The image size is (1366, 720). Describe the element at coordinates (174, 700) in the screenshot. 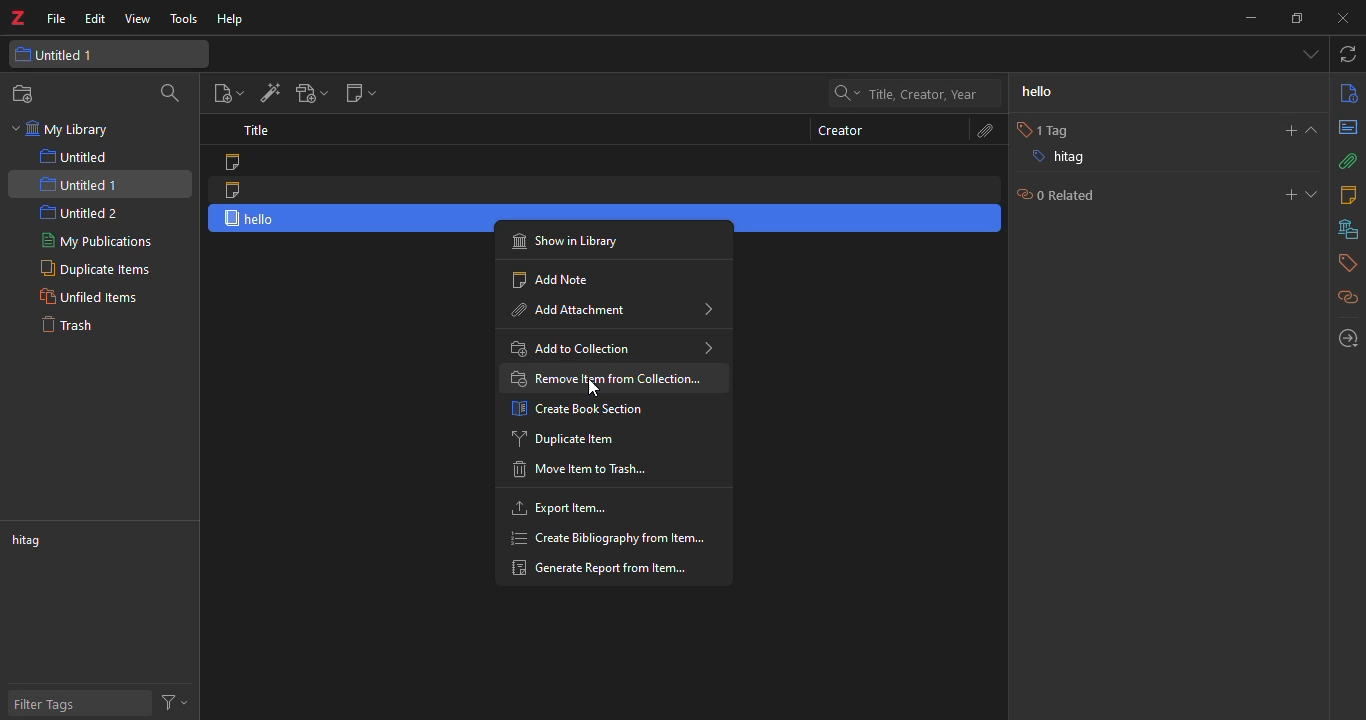

I see `actions` at that location.